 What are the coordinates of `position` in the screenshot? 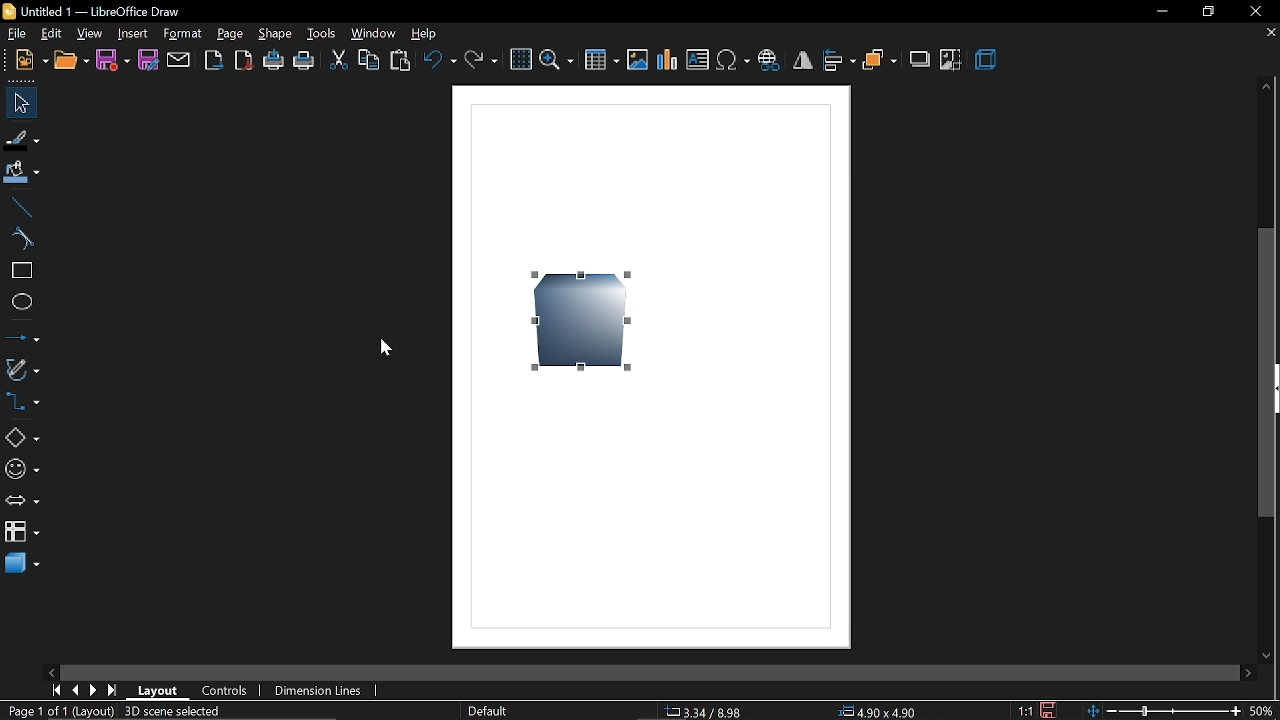 It's located at (872, 711).